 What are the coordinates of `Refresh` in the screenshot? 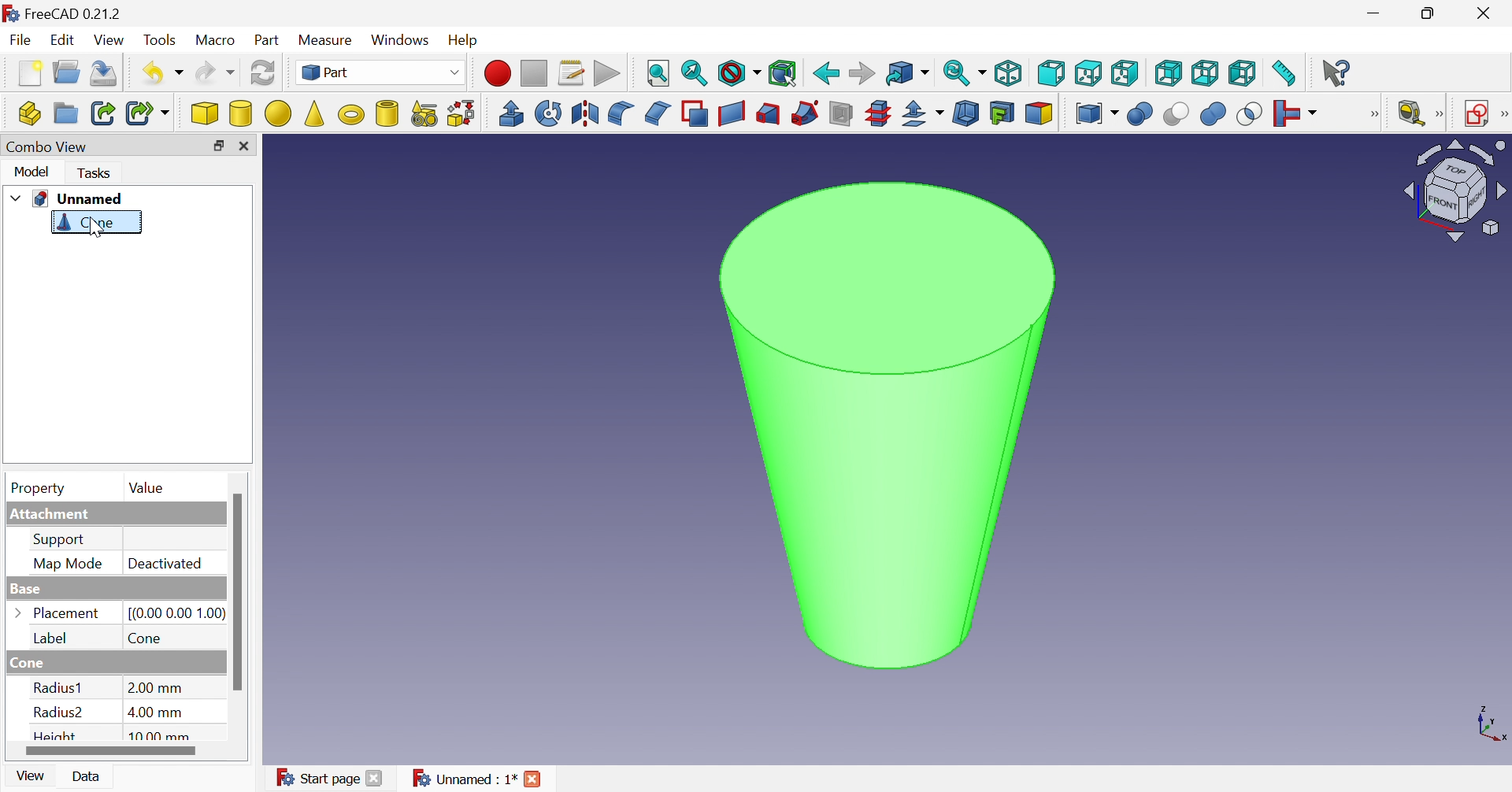 It's located at (264, 75).